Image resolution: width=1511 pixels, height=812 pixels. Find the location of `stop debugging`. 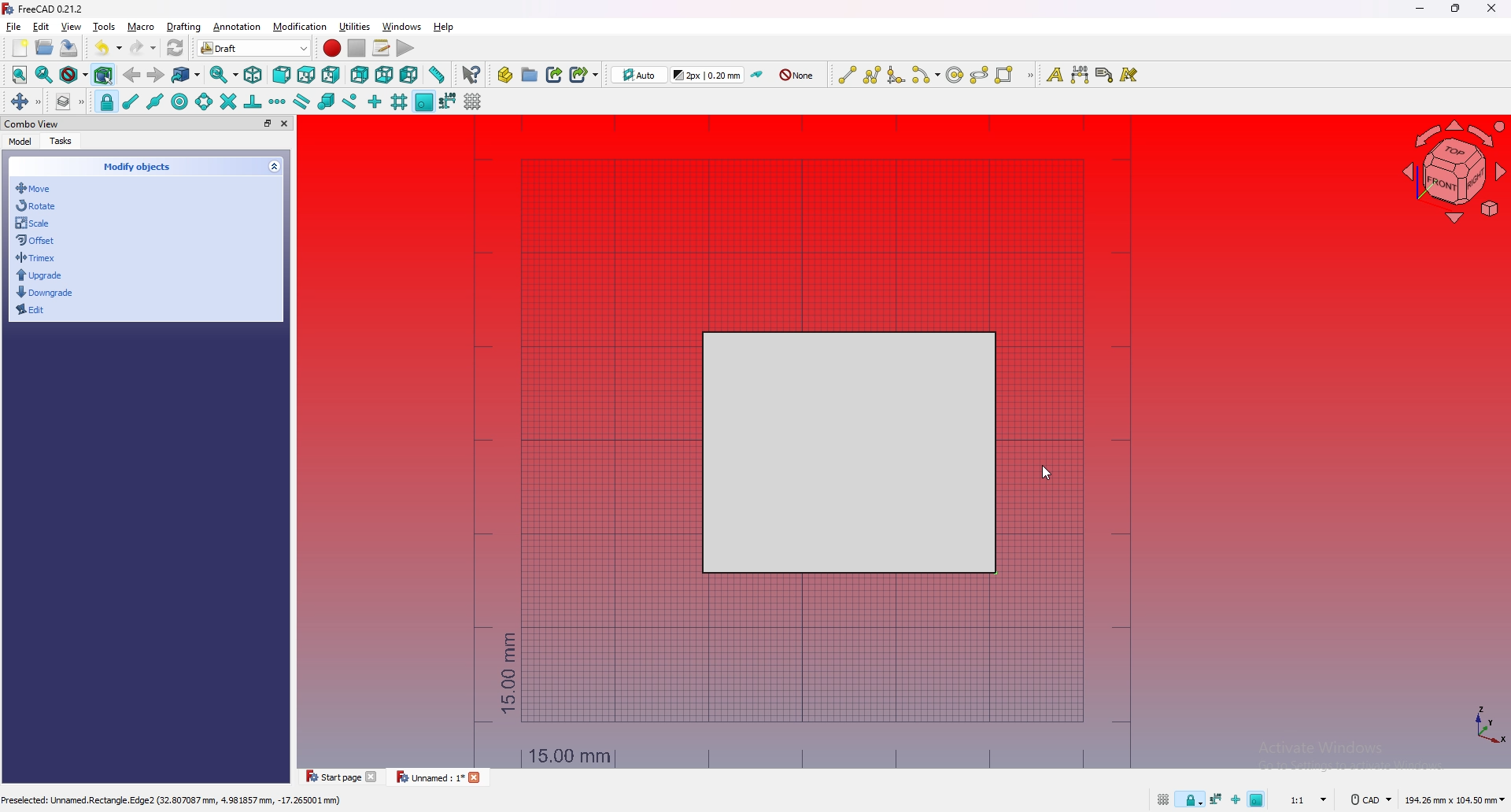

stop debugging is located at coordinates (357, 48).